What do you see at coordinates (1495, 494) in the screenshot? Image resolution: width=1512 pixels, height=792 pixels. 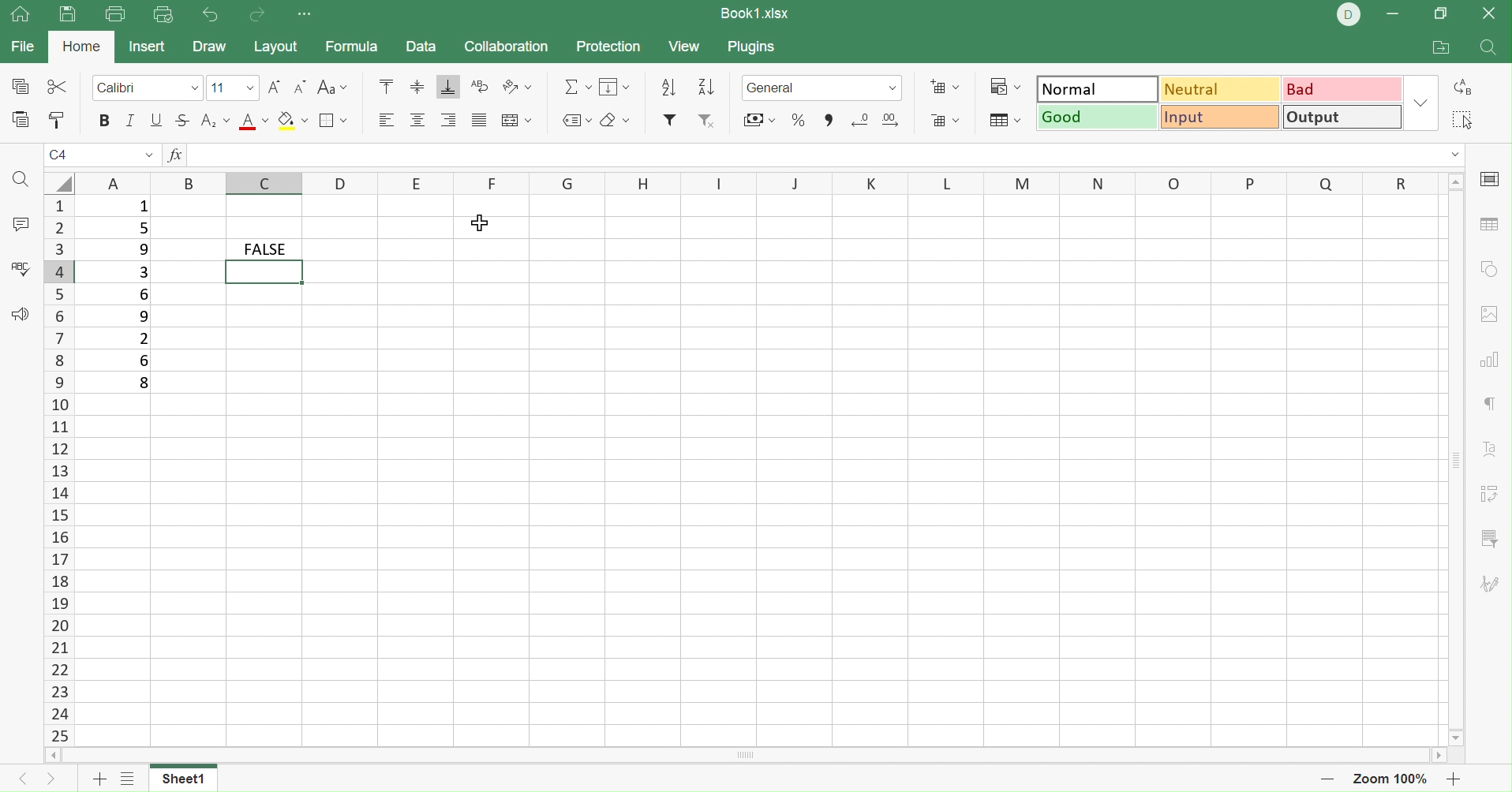 I see `Pivot table settings` at bounding box center [1495, 494].